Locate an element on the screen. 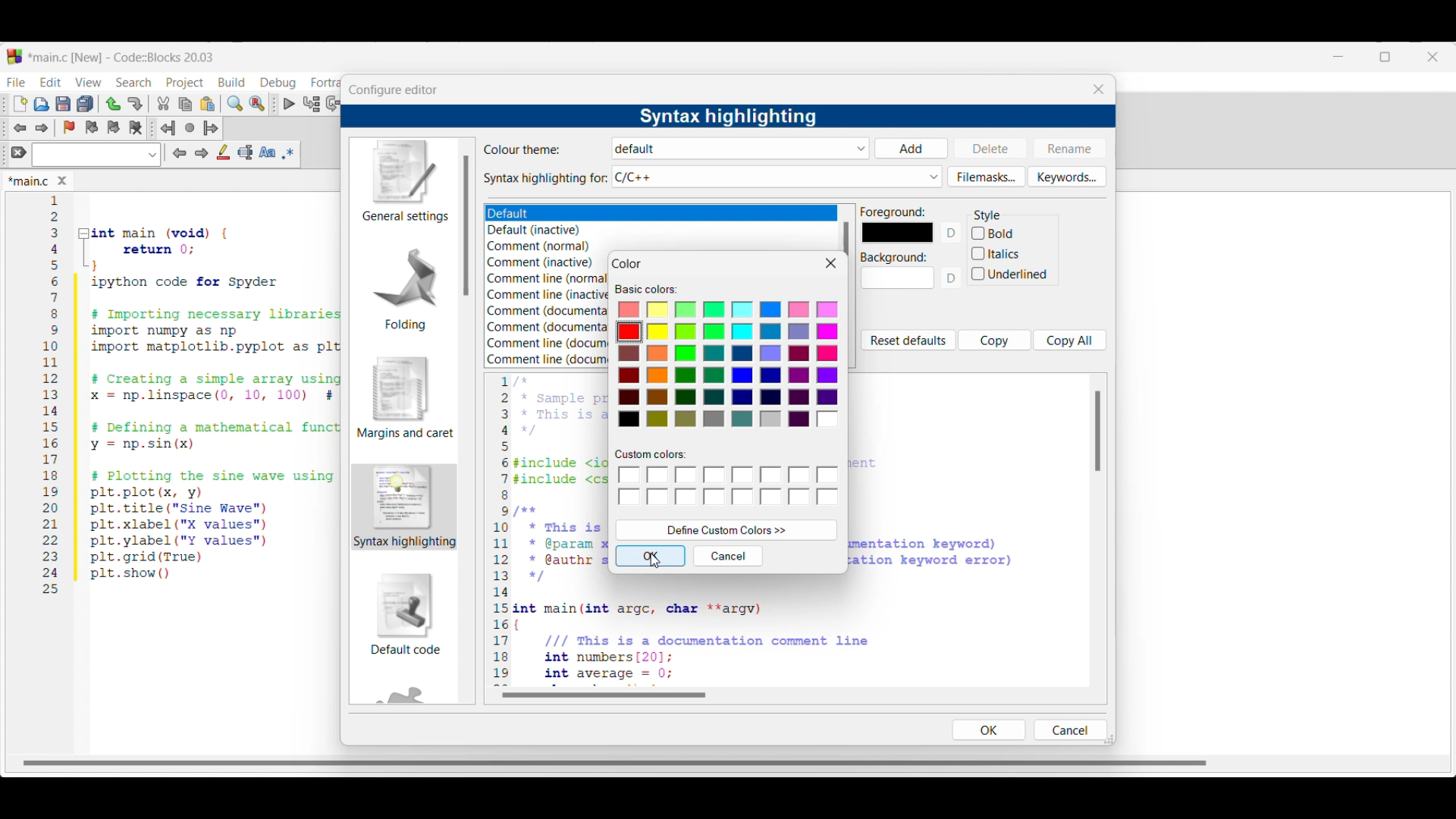  Toggle back is located at coordinates (20, 128).